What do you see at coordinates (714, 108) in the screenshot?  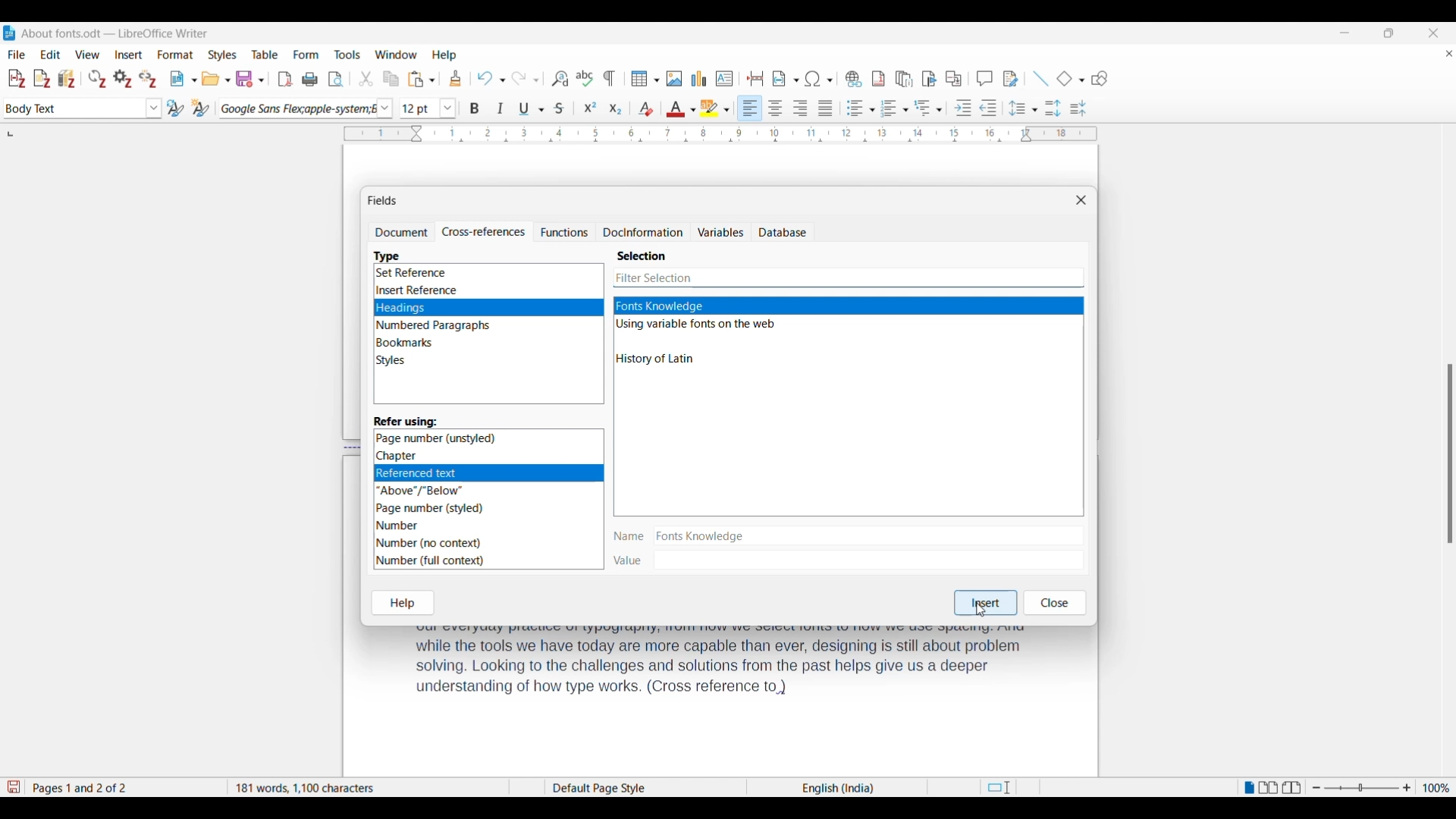 I see `Highlight color options` at bounding box center [714, 108].